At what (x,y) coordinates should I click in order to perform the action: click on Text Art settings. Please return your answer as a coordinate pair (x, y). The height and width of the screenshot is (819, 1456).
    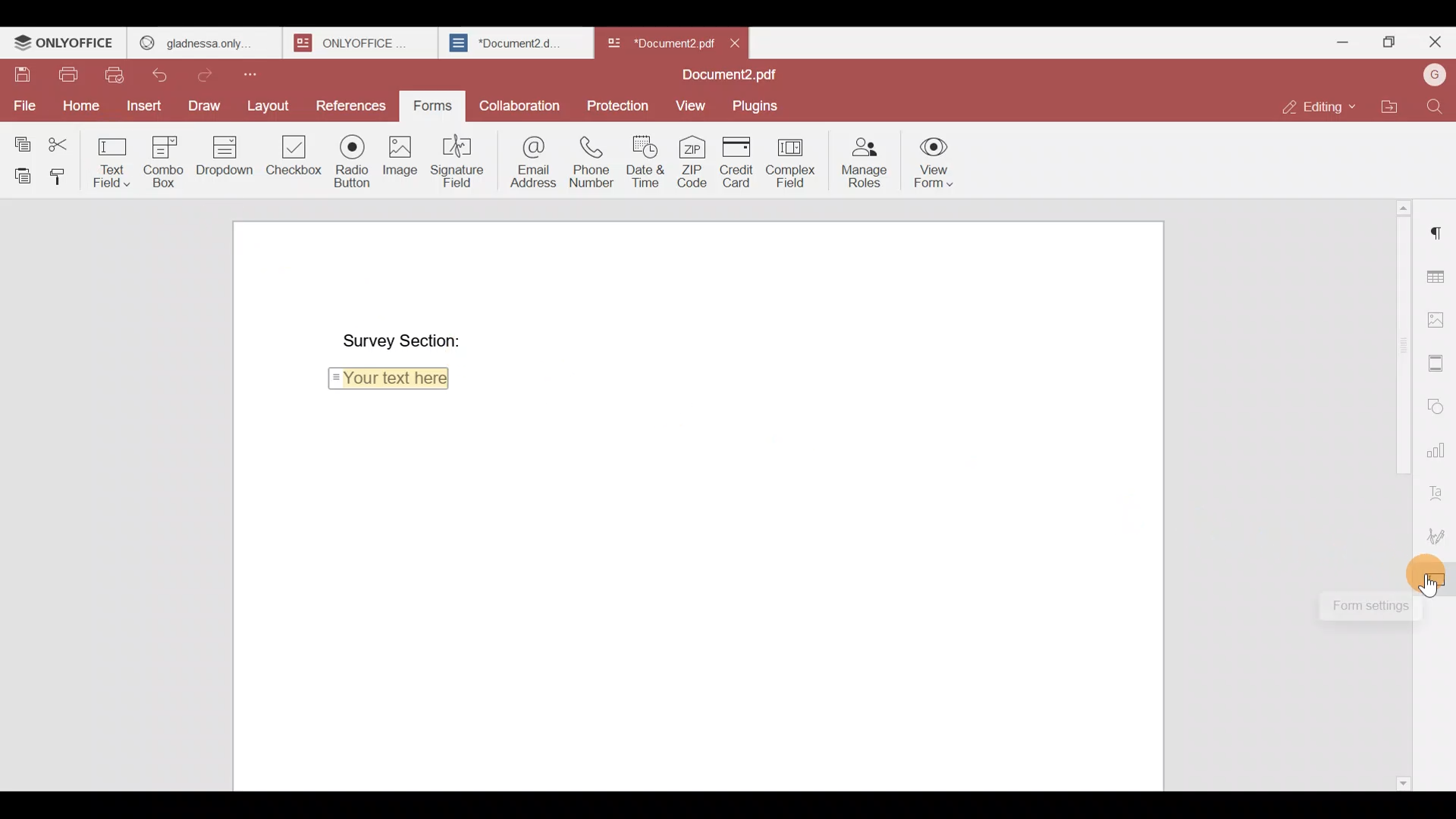
    Looking at the image, I should click on (1439, 491).